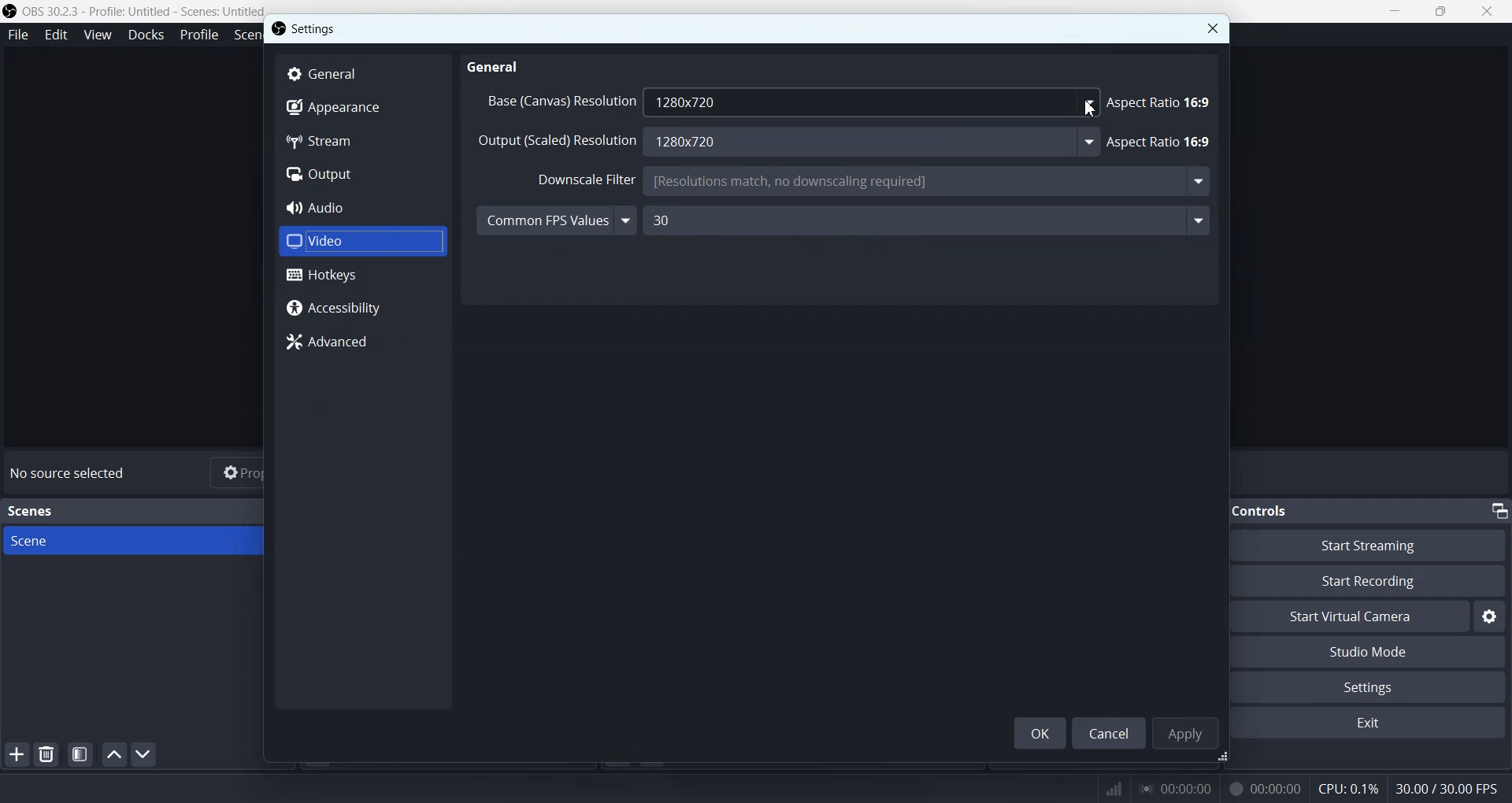 This screenshot has height=803, width=1512. Describe the element at coordinates (1499, 510) in the screenshot. I see `Minimize` at that location.